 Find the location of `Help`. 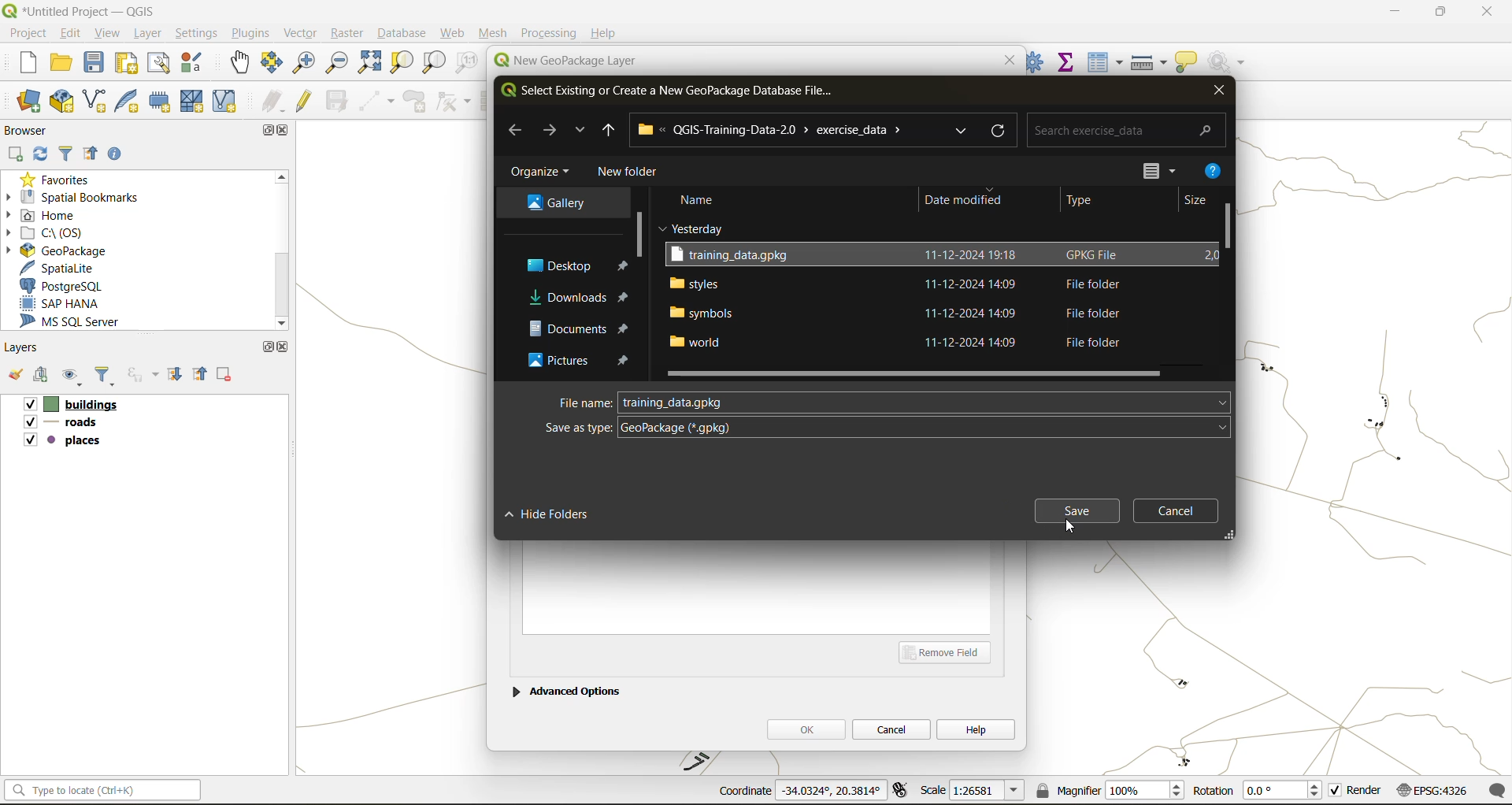

Help is located at coordinates (604, 33).